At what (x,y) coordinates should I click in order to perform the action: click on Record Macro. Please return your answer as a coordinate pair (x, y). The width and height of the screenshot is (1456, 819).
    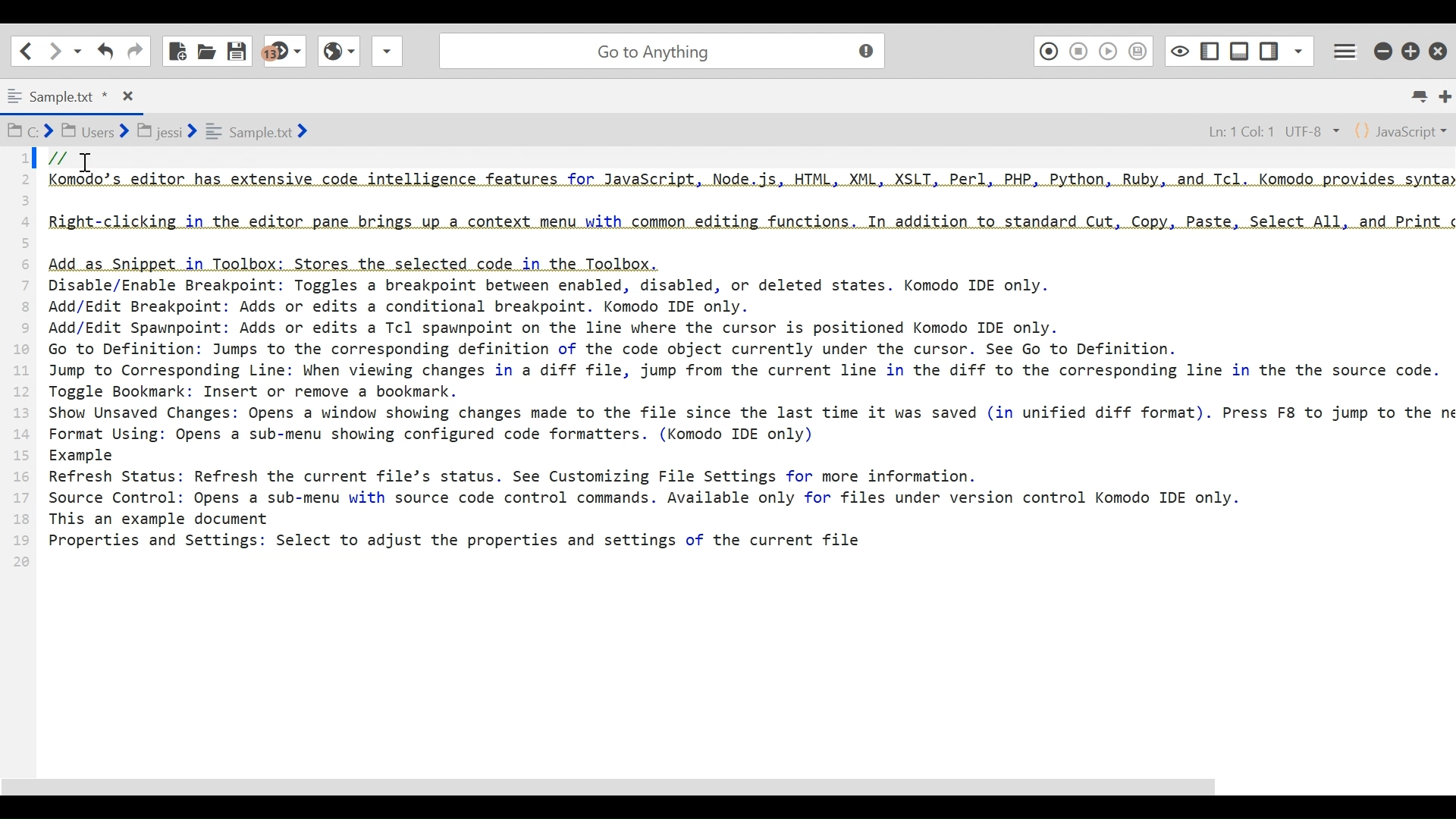
    Looking at the image, I should click on (1048, 50).